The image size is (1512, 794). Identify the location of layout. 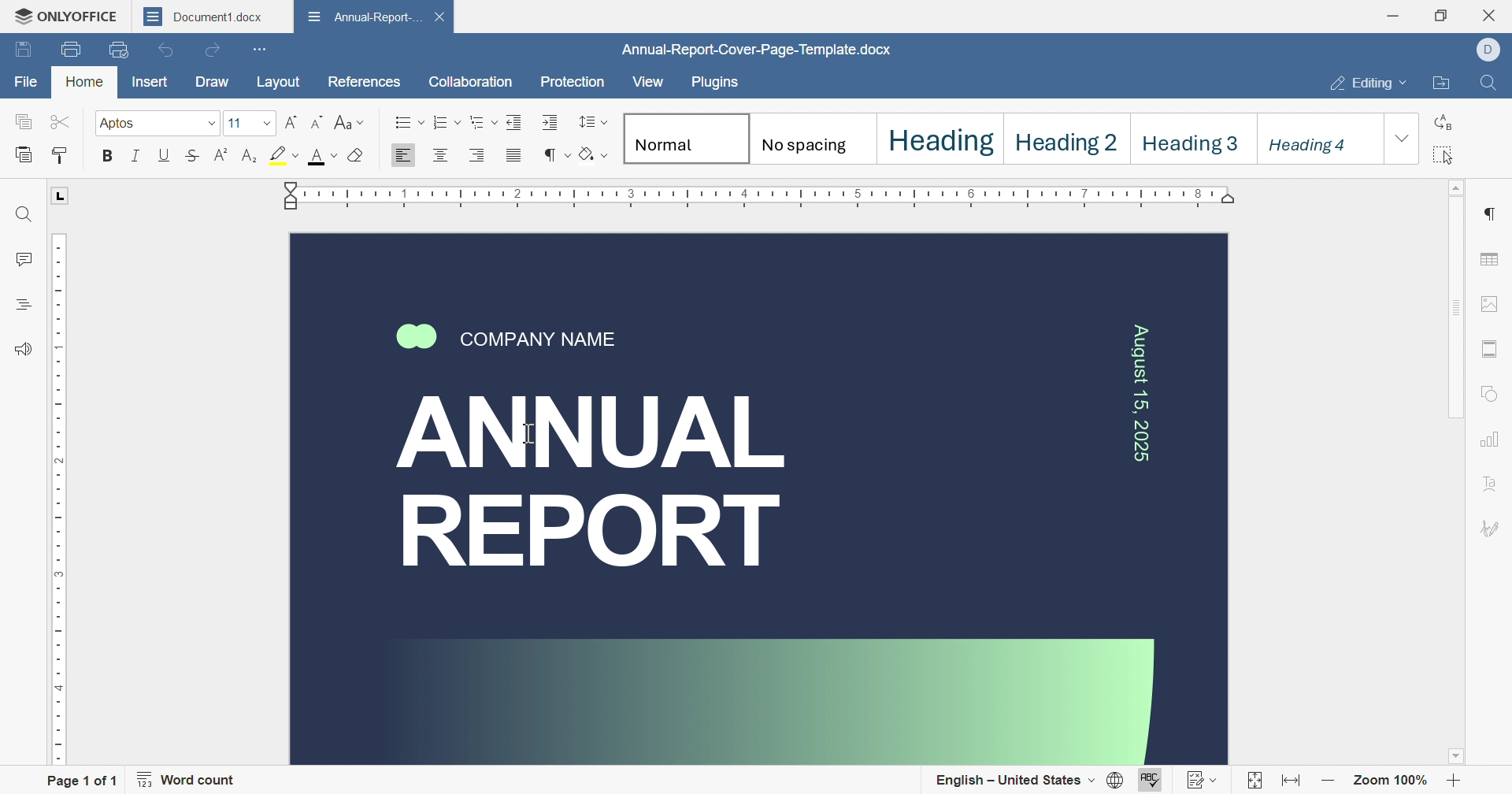
(279, 81).